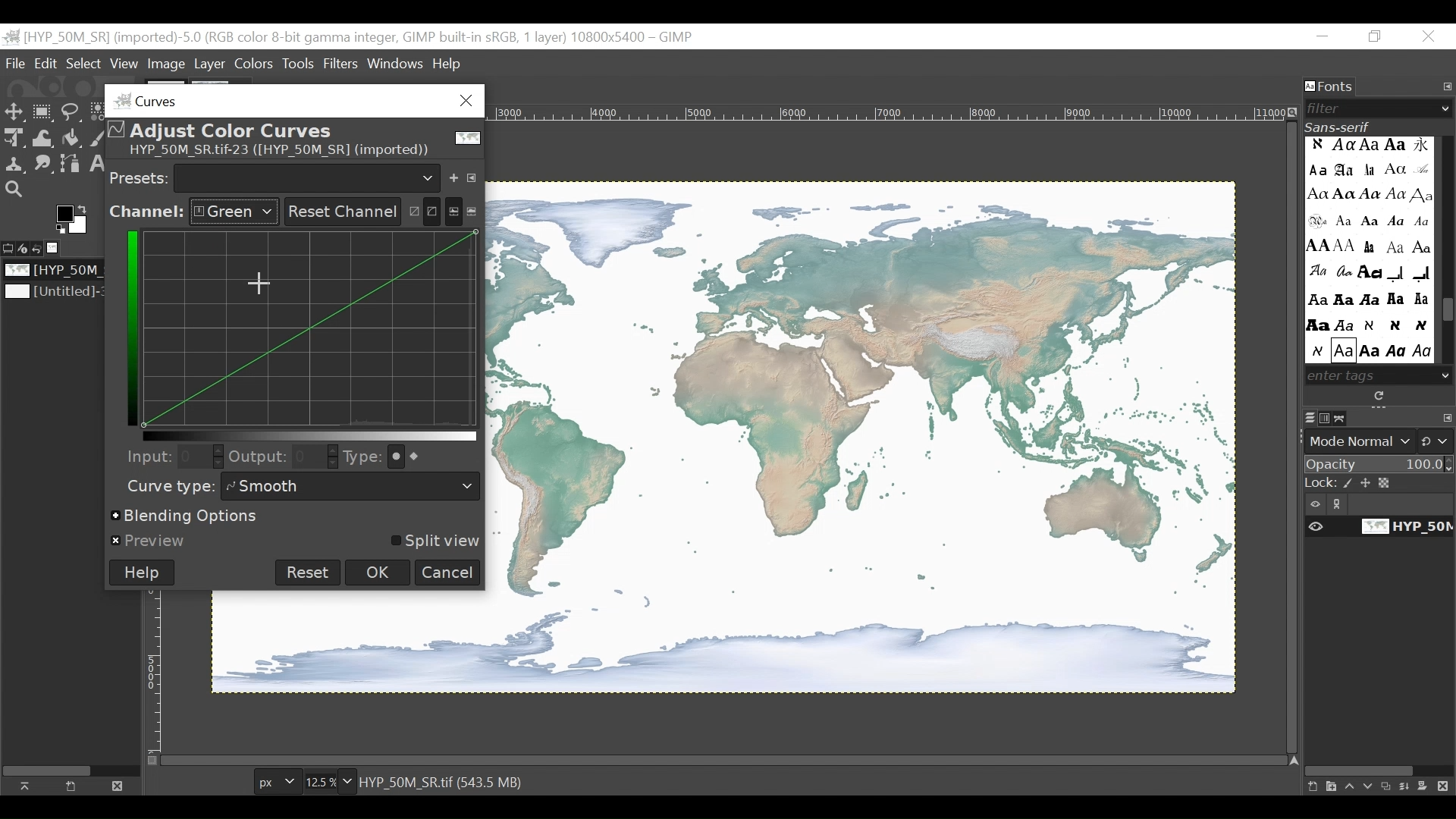  I want to click on Rsstore, so click(1375, 37).